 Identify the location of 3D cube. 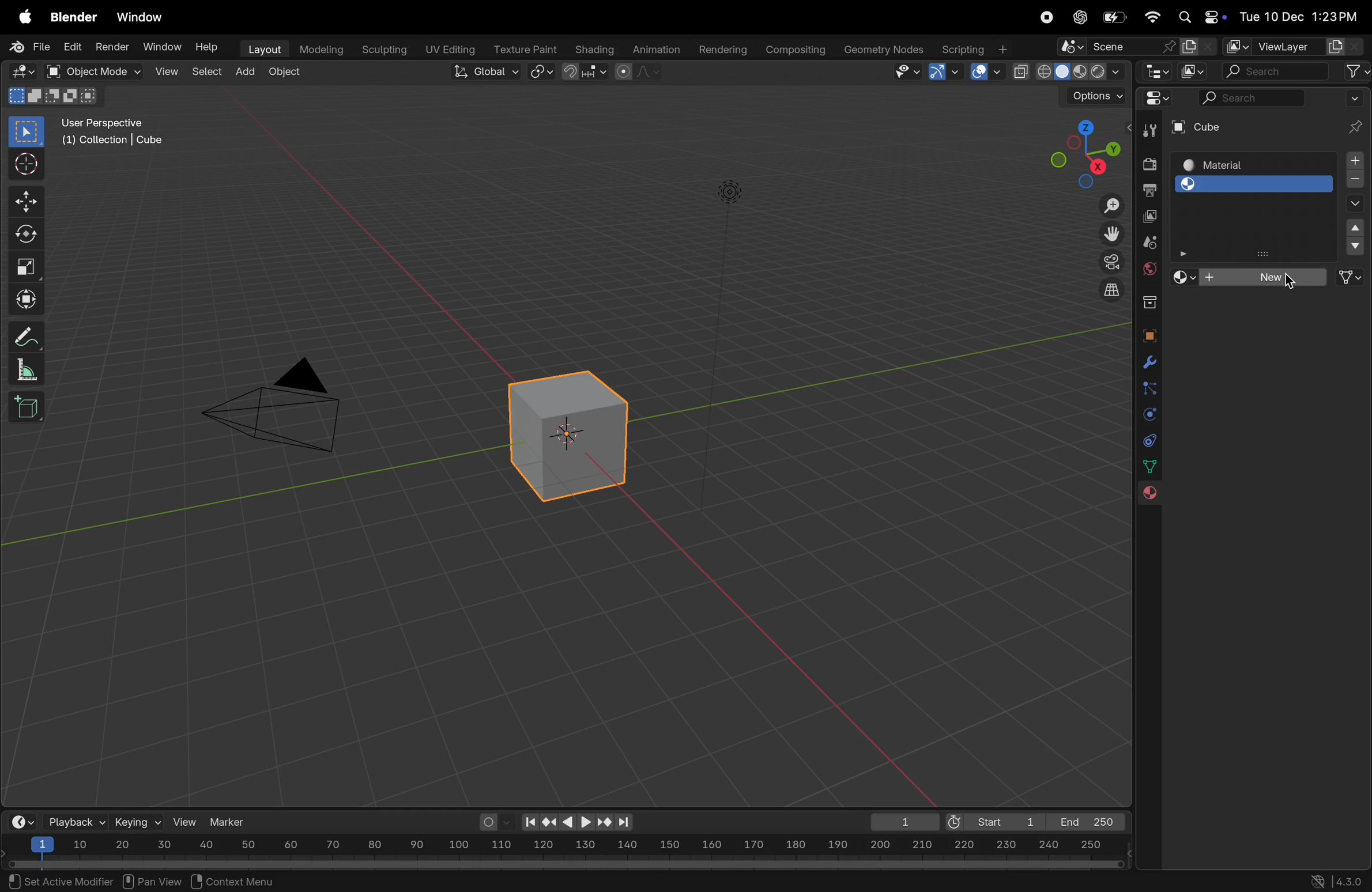
(564, 436).